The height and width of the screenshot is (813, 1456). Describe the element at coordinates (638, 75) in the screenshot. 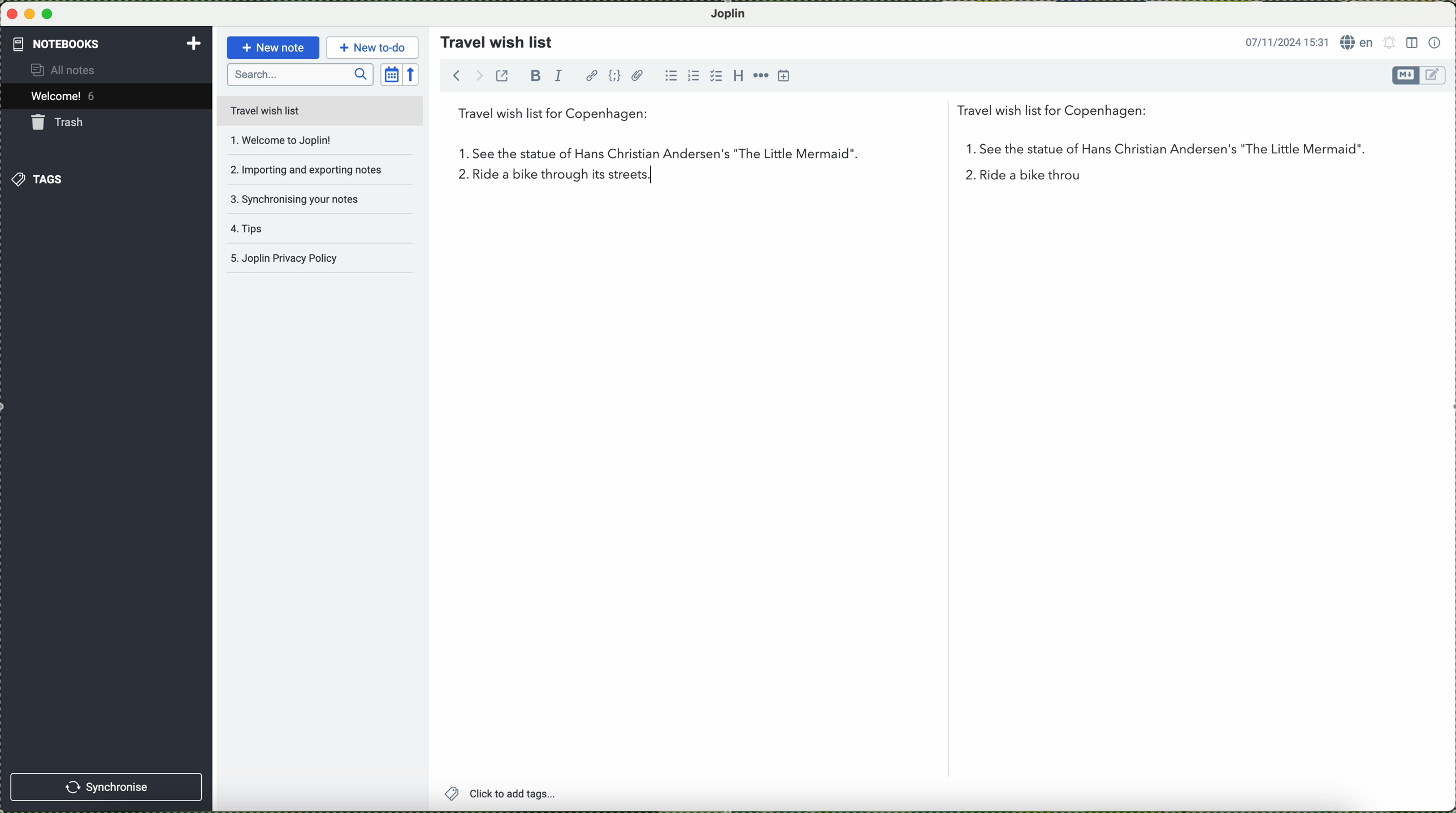

I see `attach file` at that location.